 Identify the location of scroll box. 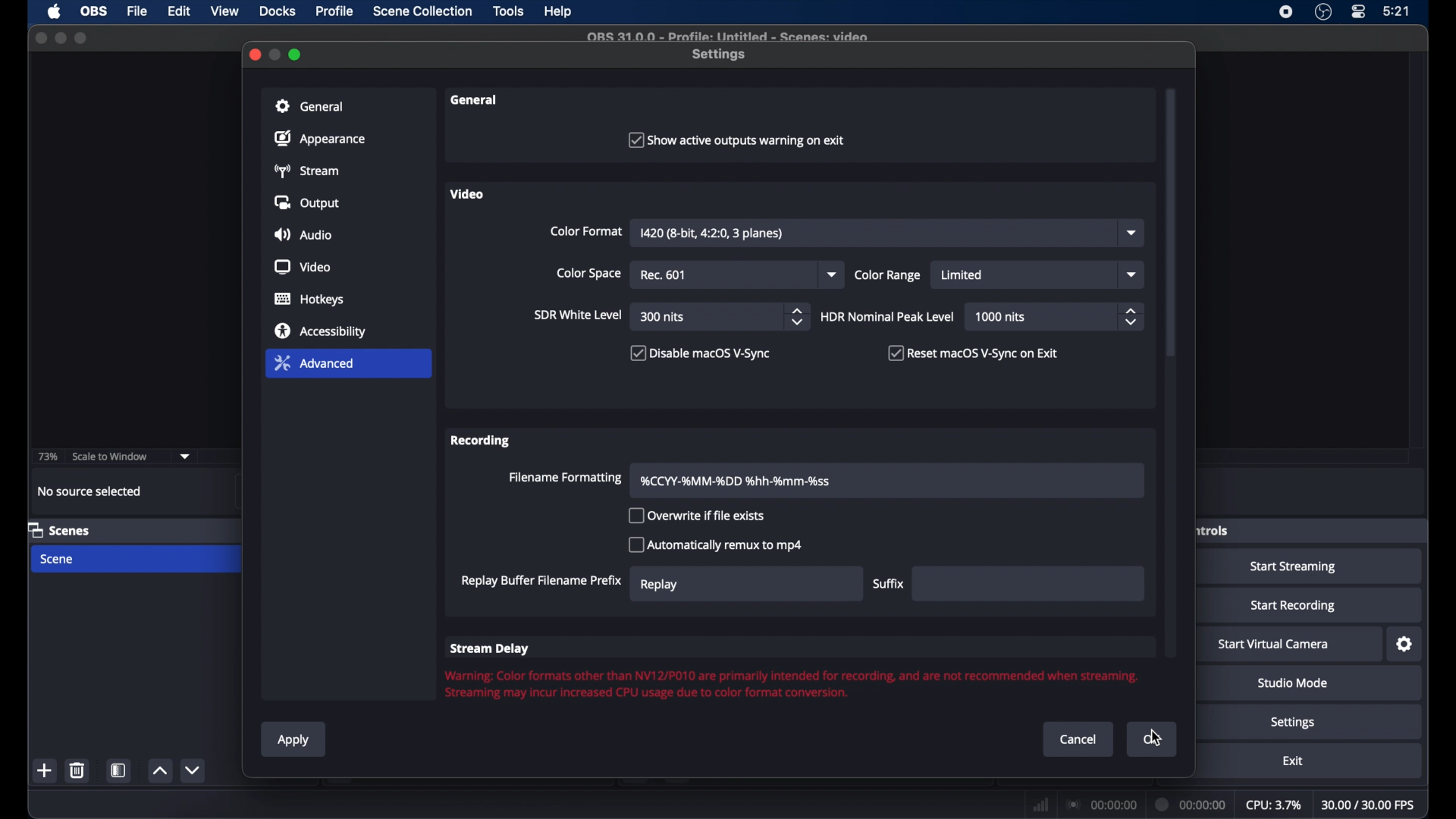
(1171, 239).